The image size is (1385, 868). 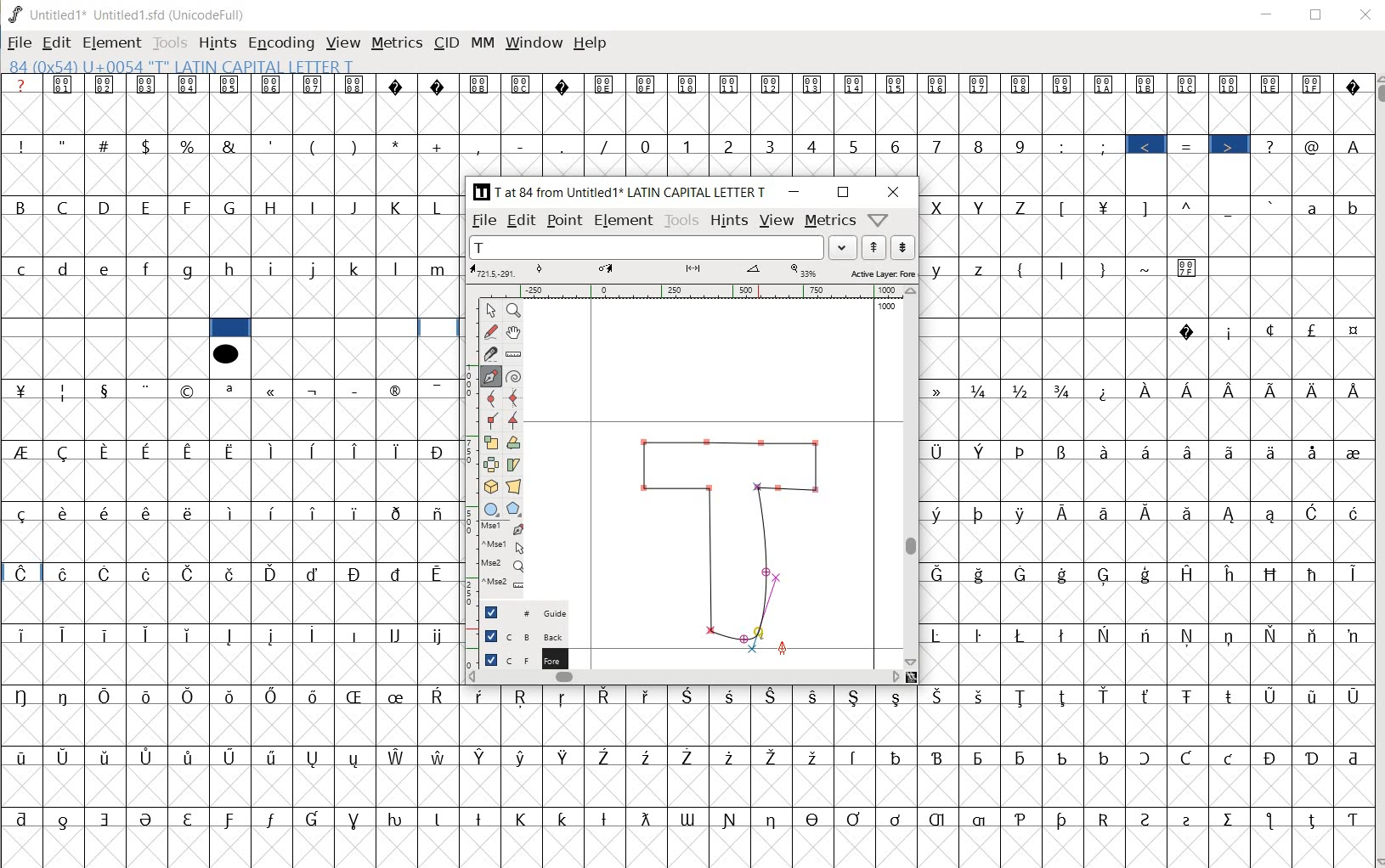 I want to click on ,, so click(x=480, y=146).